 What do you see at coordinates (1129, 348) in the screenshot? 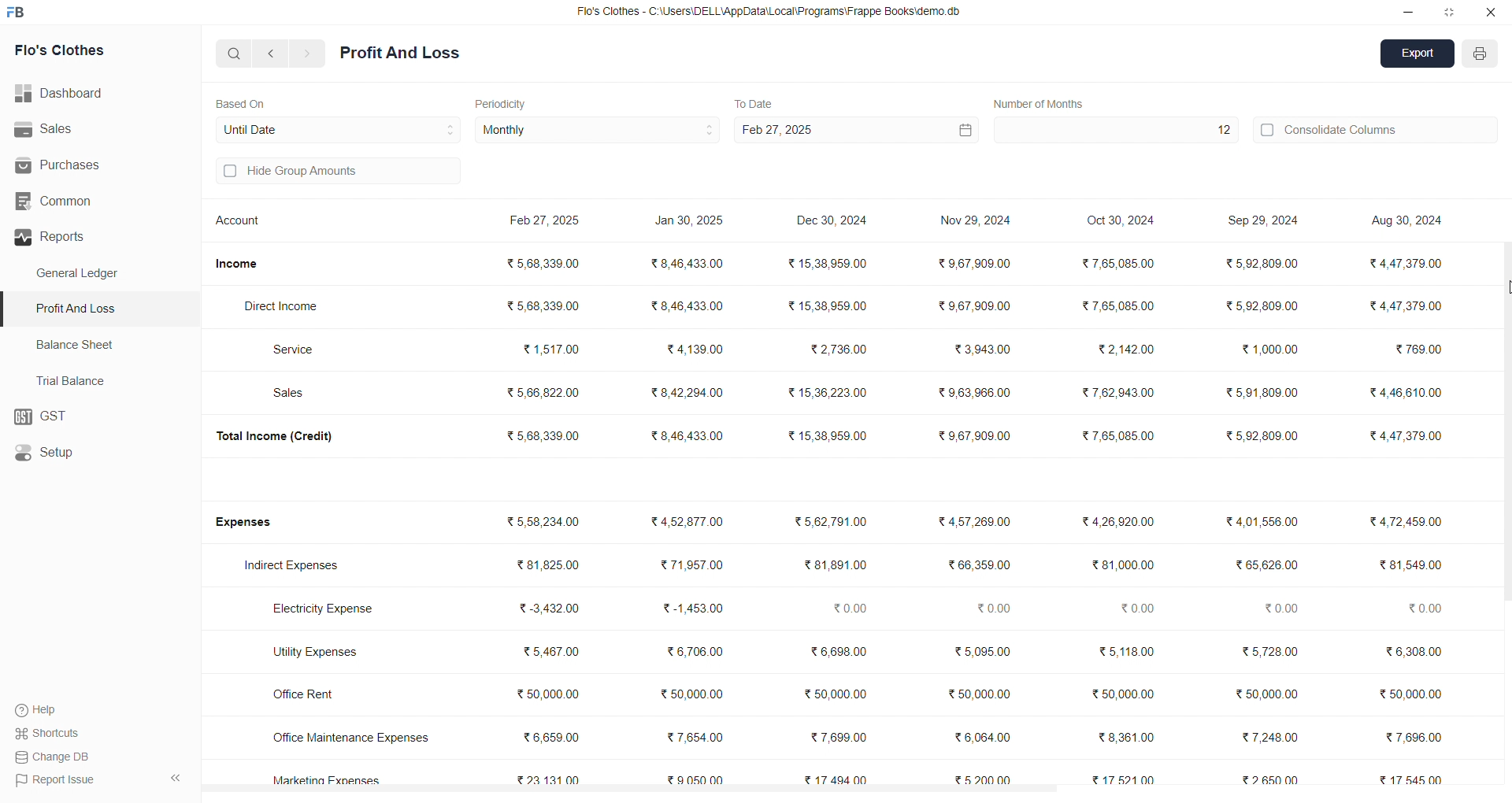
I see `₹2,142.00` at bounding box center [1129, 348].